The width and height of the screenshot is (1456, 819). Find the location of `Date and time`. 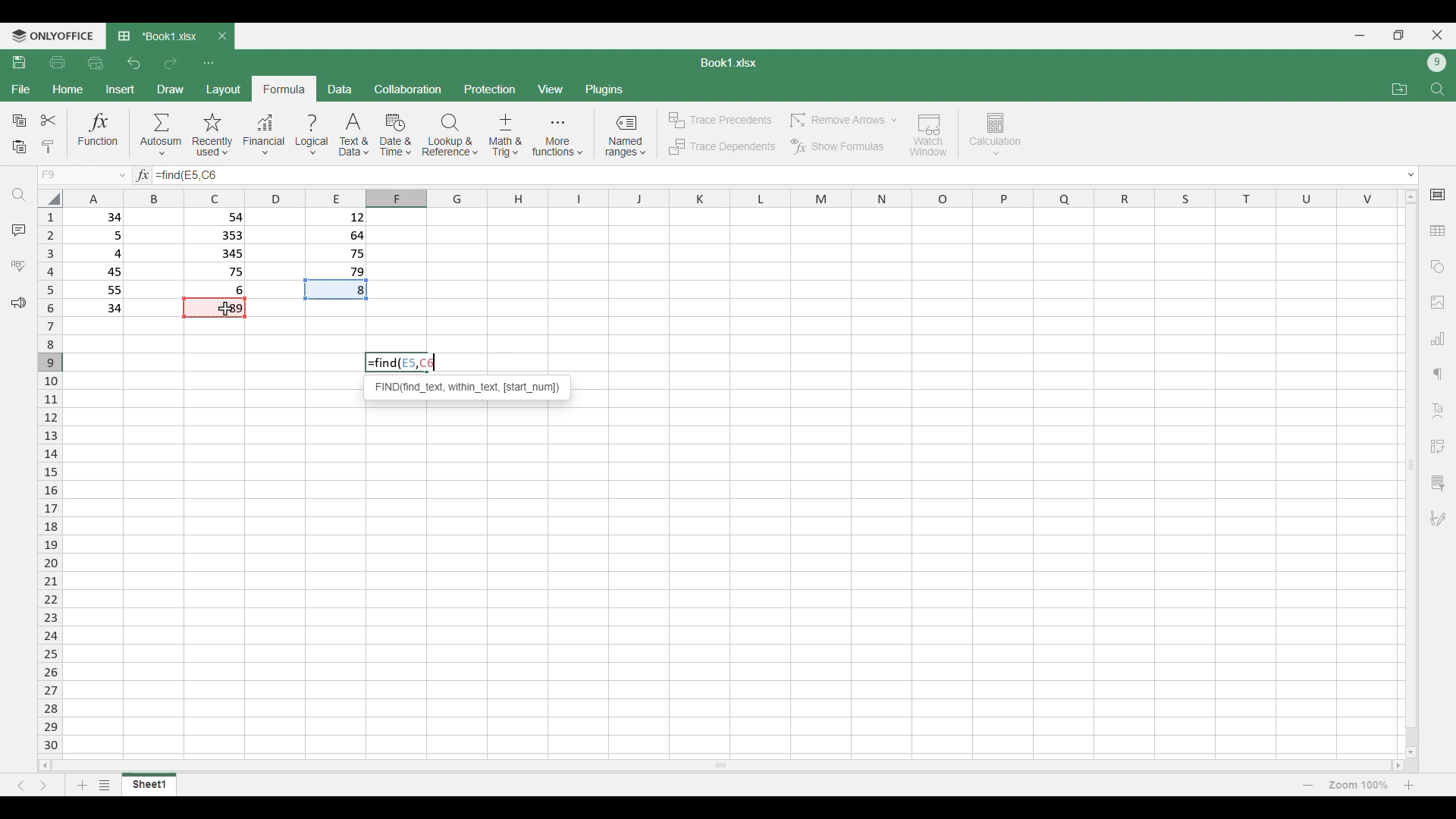

Date and time is located at coordinates (395, 135).